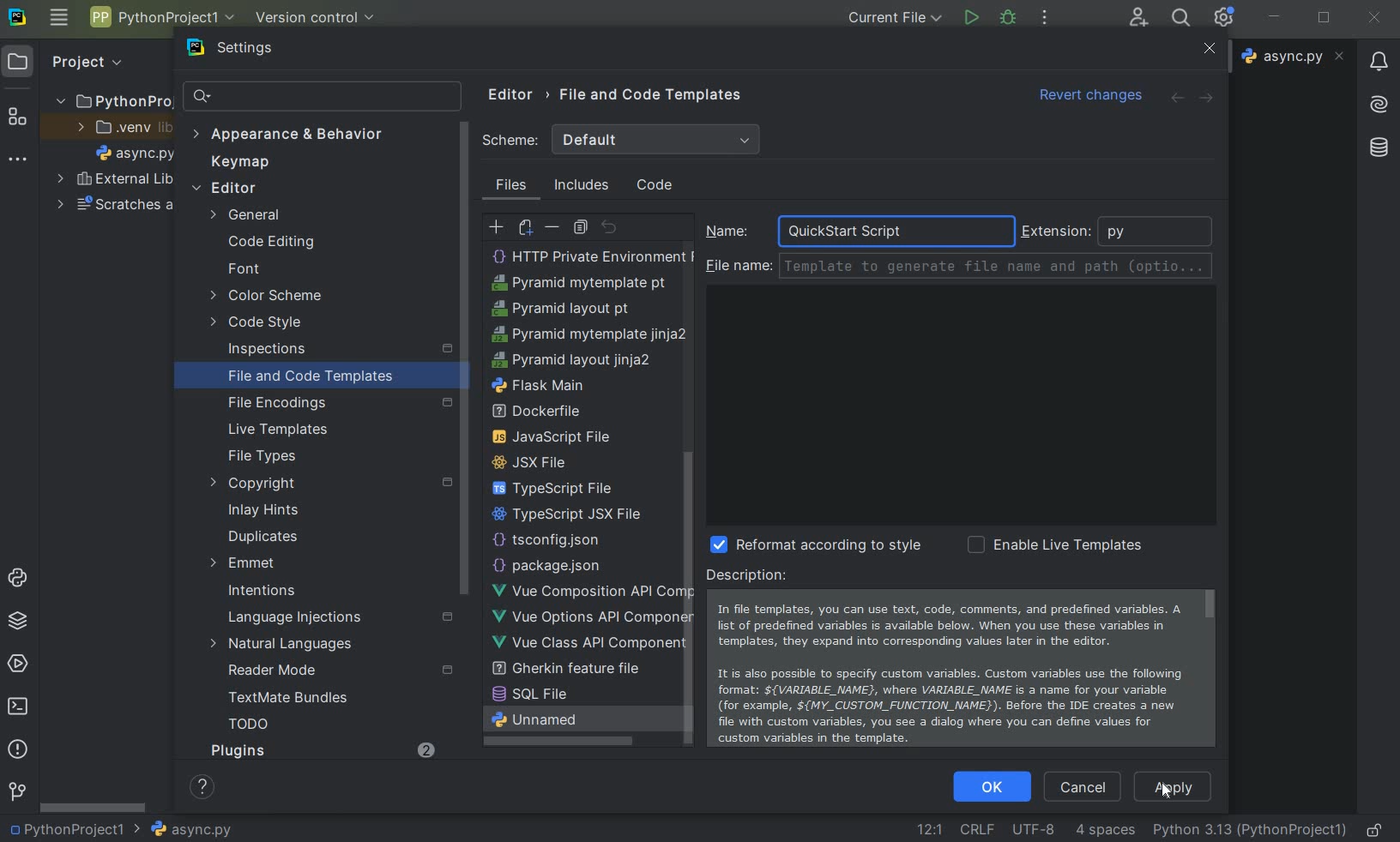 This screenshot has height=842, width=1400. Describe the element at coordinates (316, 17) in the screenshot. I see `version control` at that location.